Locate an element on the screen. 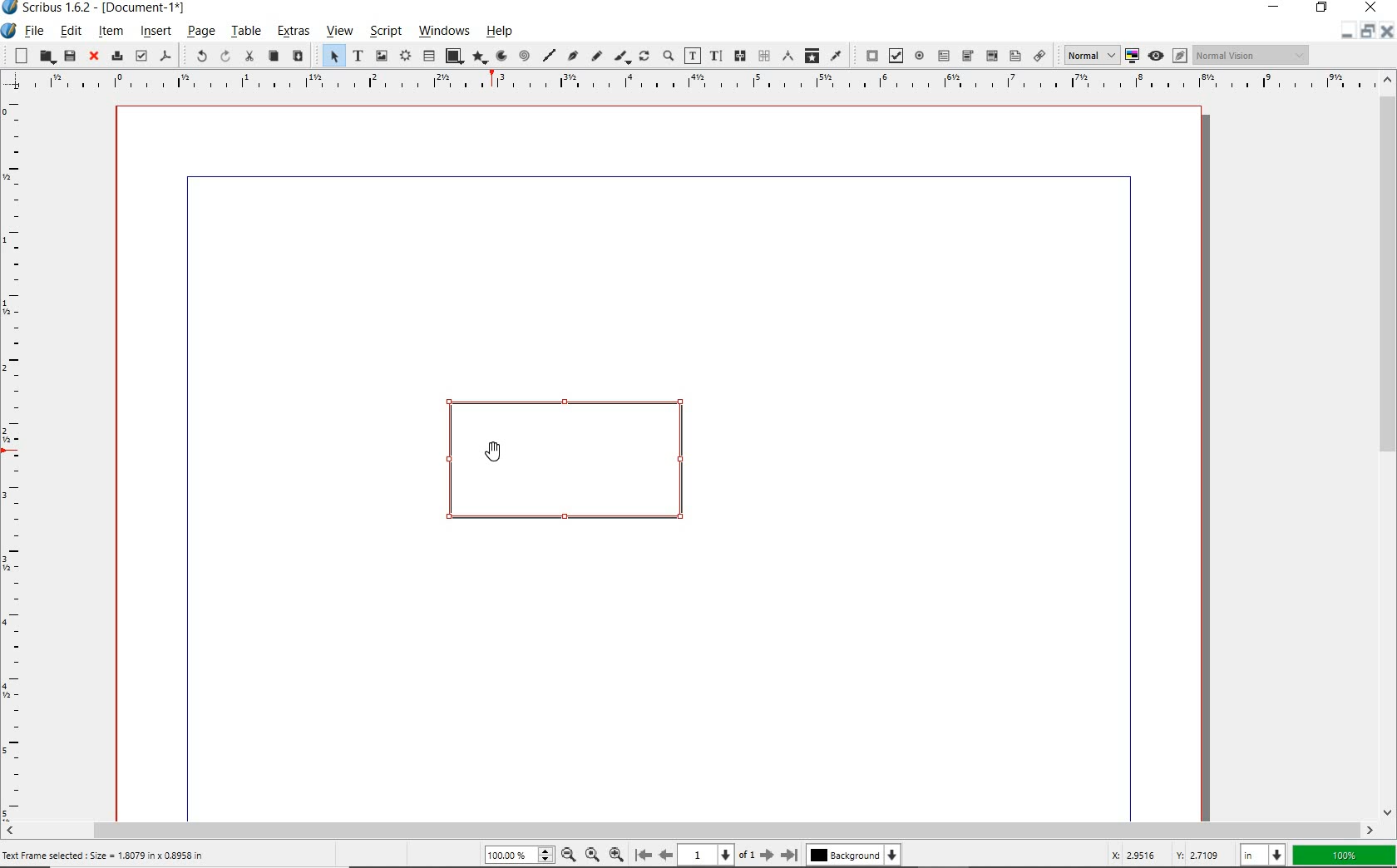 The width and height of the screenshot is (1397, 868). select item is located at coordinates (332, 56).